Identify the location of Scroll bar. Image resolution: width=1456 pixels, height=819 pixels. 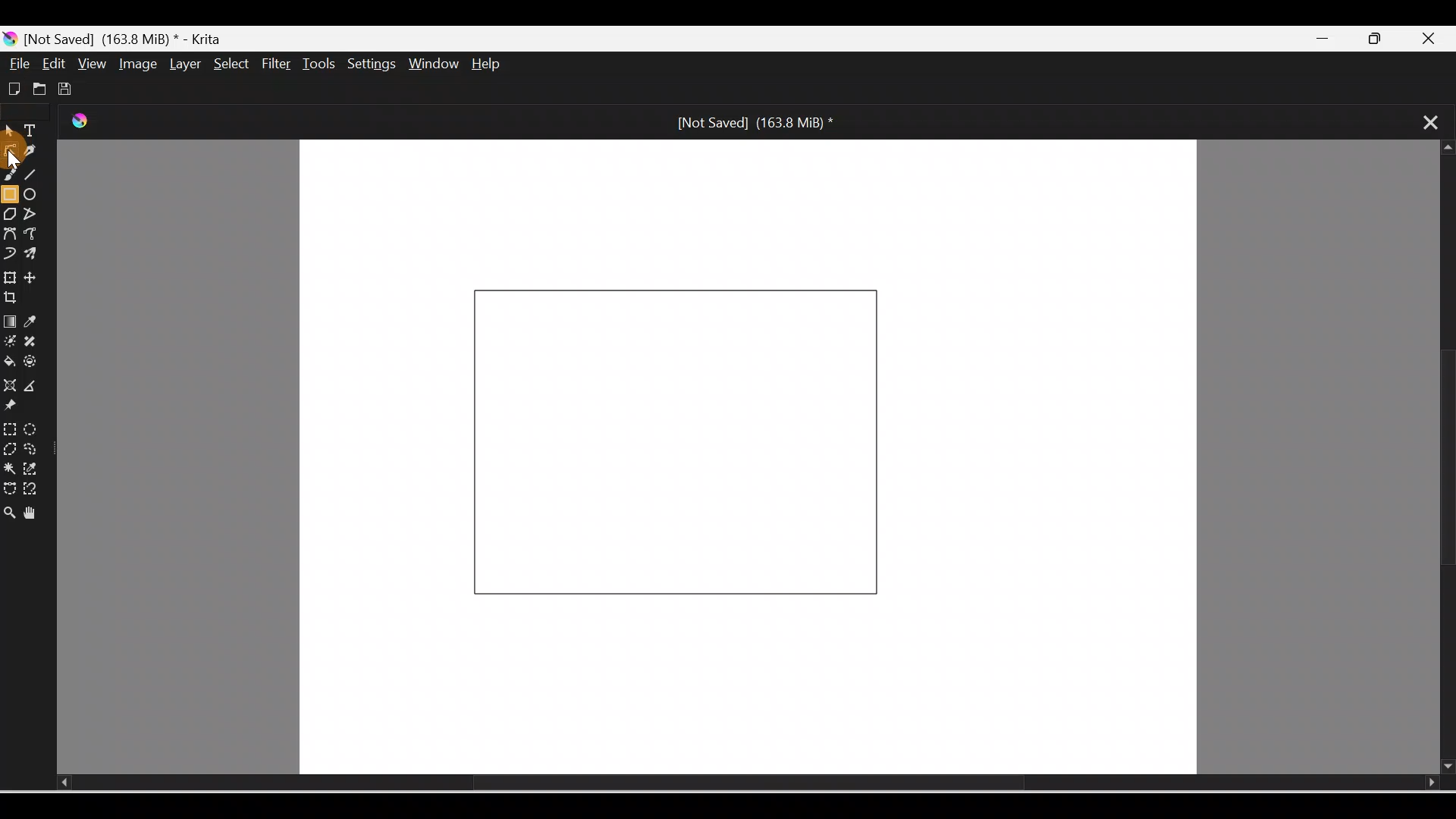
(725, 783).